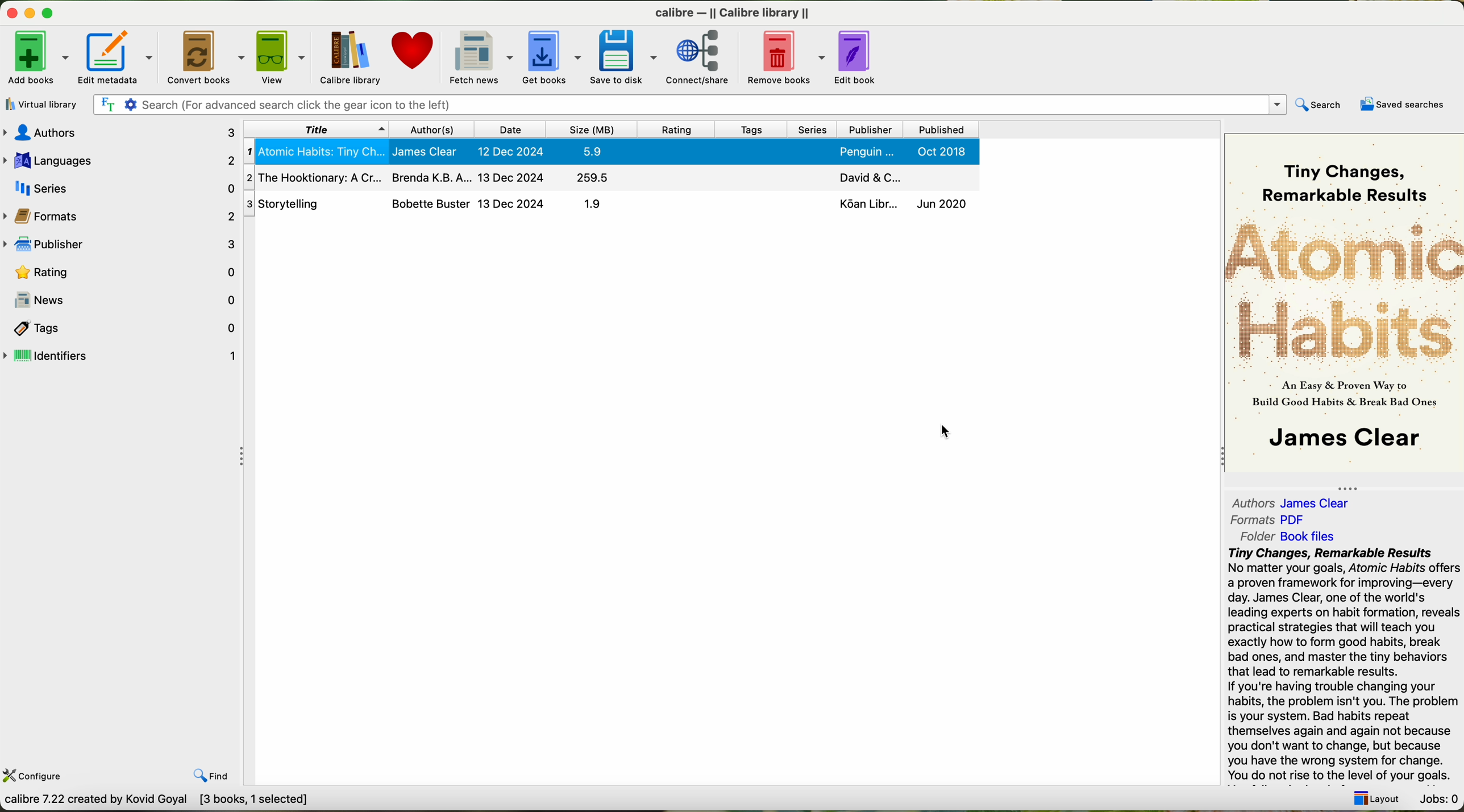  I want to click on donate, so click(414, 53).